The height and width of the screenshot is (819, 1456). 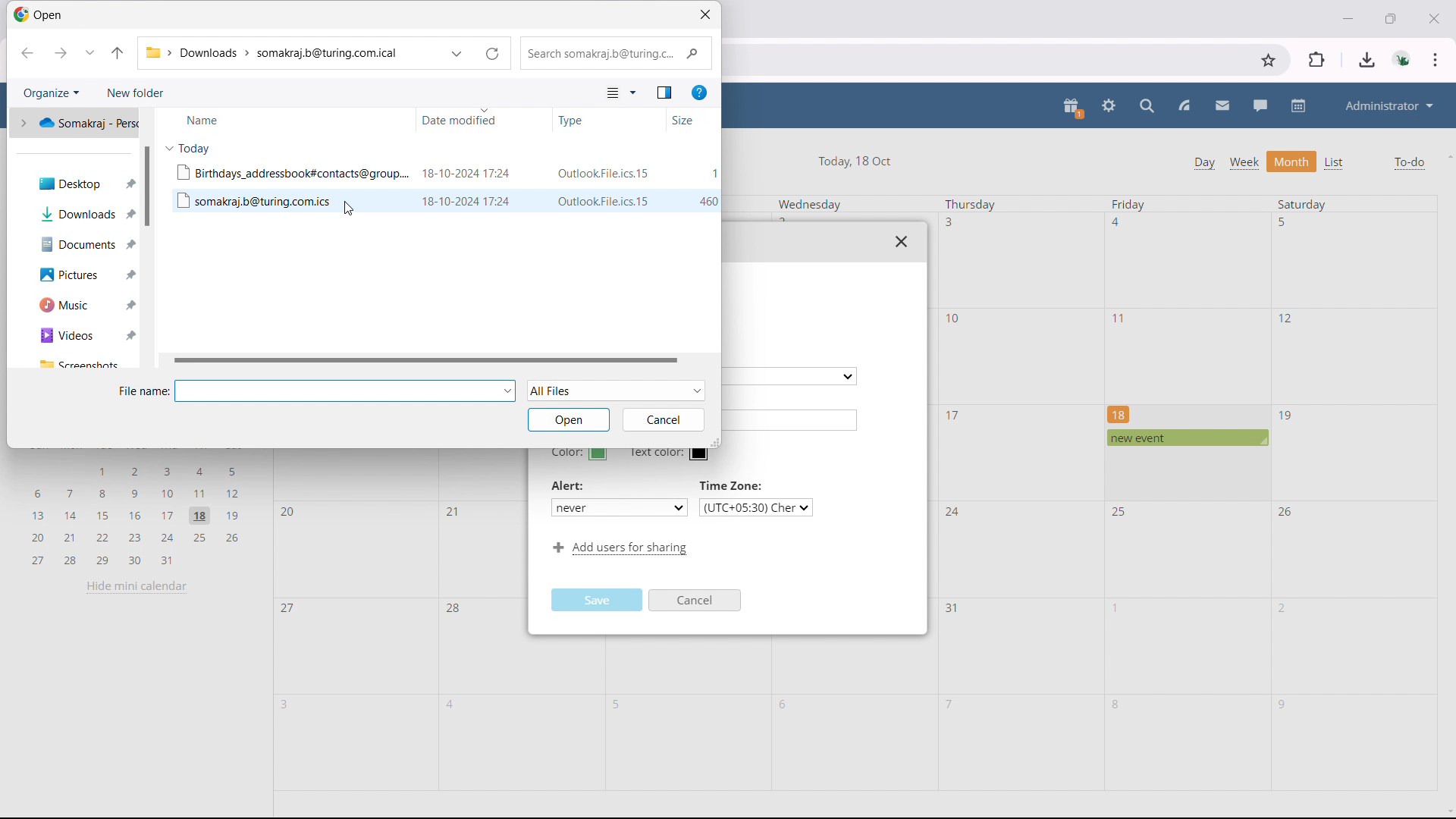 I want to click on present, so click(x=1073, y=108).